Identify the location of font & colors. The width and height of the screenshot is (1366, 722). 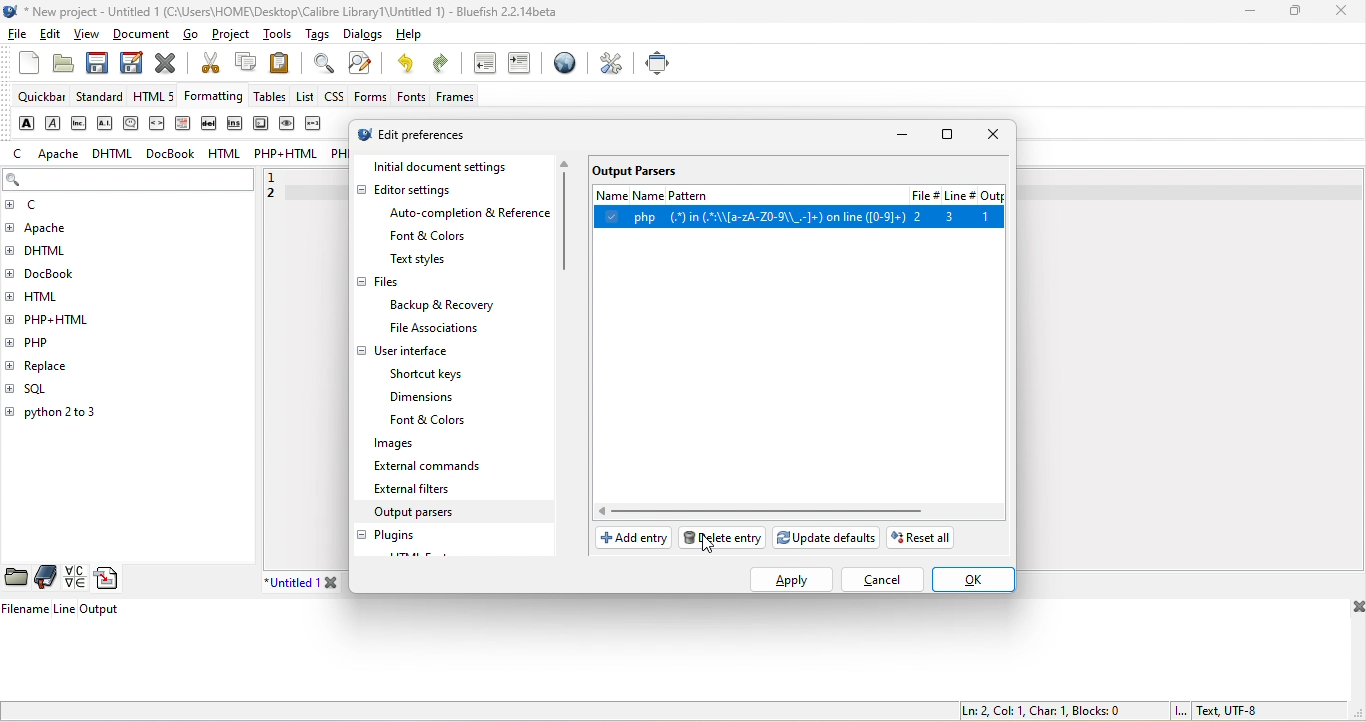
(432, 237).